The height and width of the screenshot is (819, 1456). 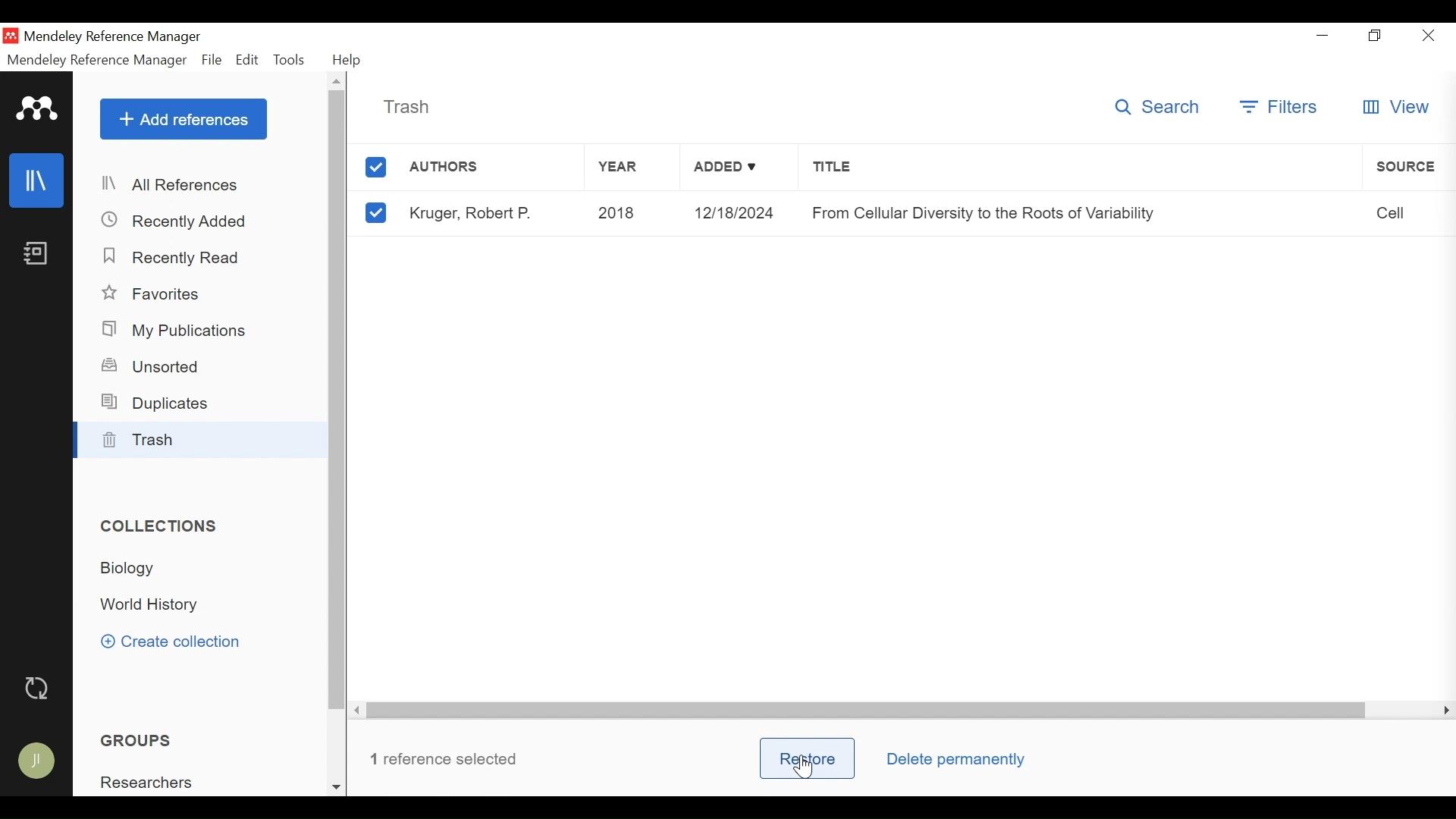 I want to click on Delete Permanently, so click(x=961, y=761).